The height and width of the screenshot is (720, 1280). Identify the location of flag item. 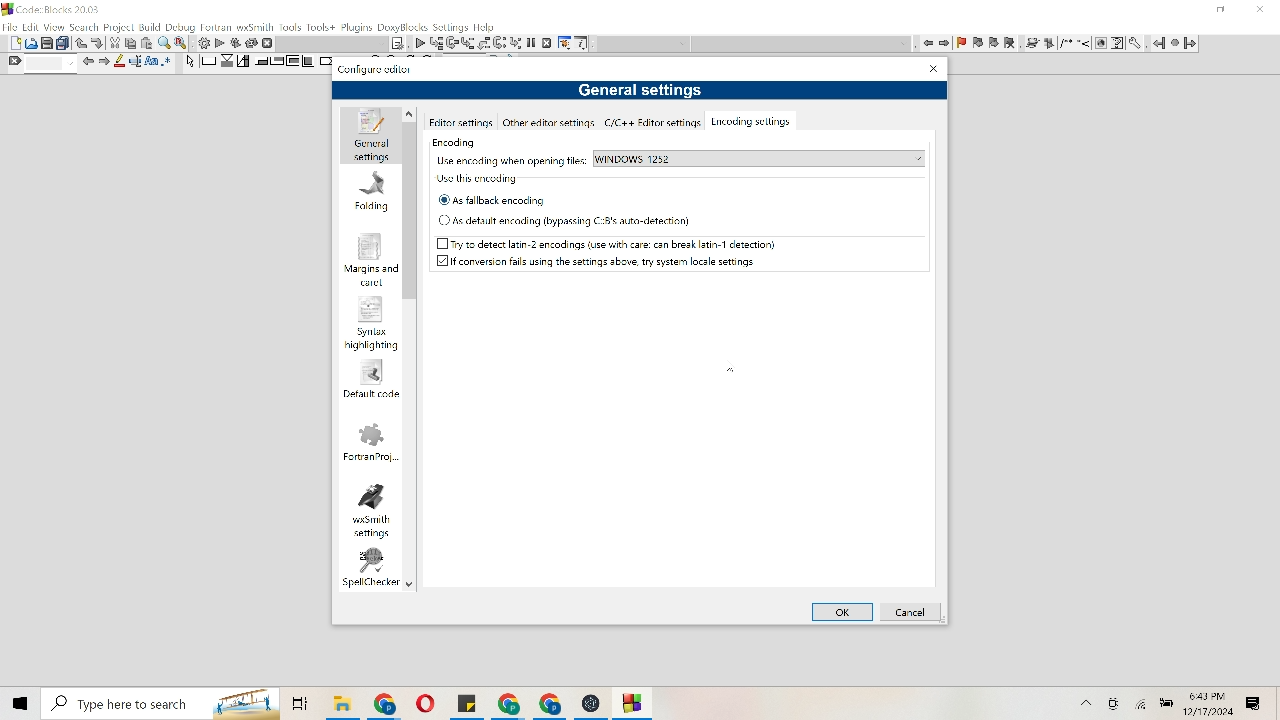
(986, 43).